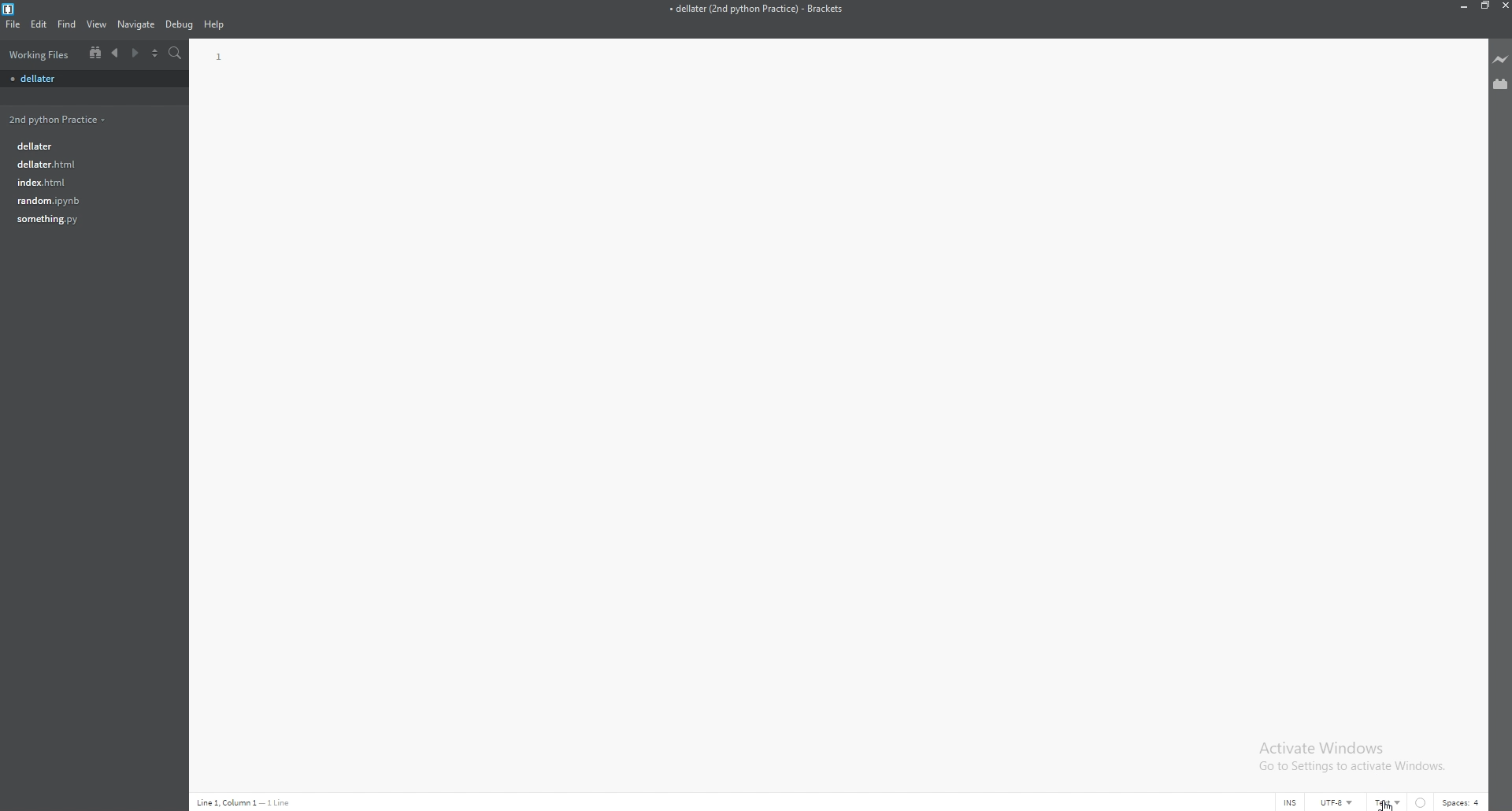  I want to click on Activate Windows
Go to Settings to activate Windows., so click(1350, 756).